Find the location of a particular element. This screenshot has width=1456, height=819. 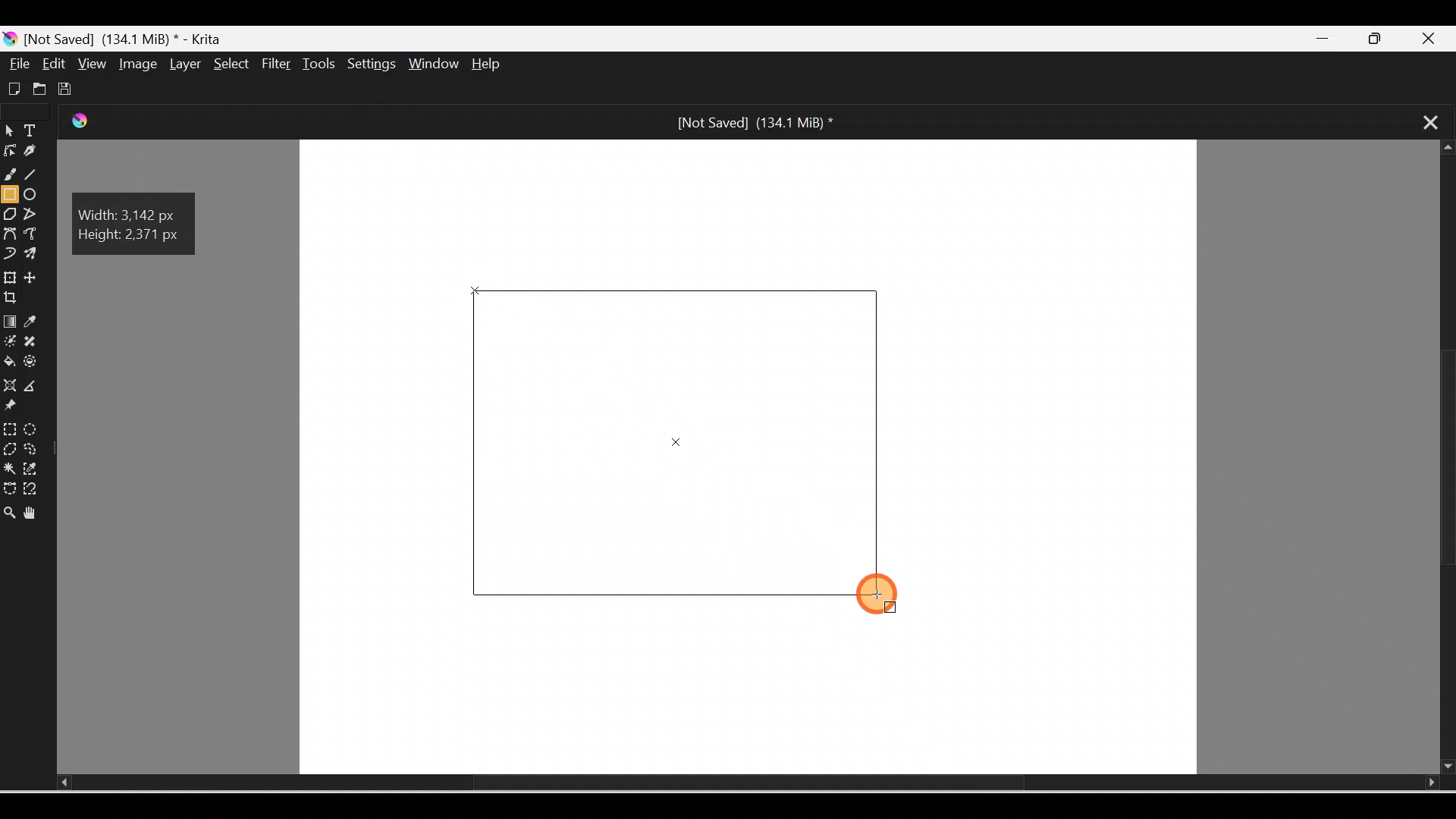

Assistant tool is located at coordinates (9, 385).